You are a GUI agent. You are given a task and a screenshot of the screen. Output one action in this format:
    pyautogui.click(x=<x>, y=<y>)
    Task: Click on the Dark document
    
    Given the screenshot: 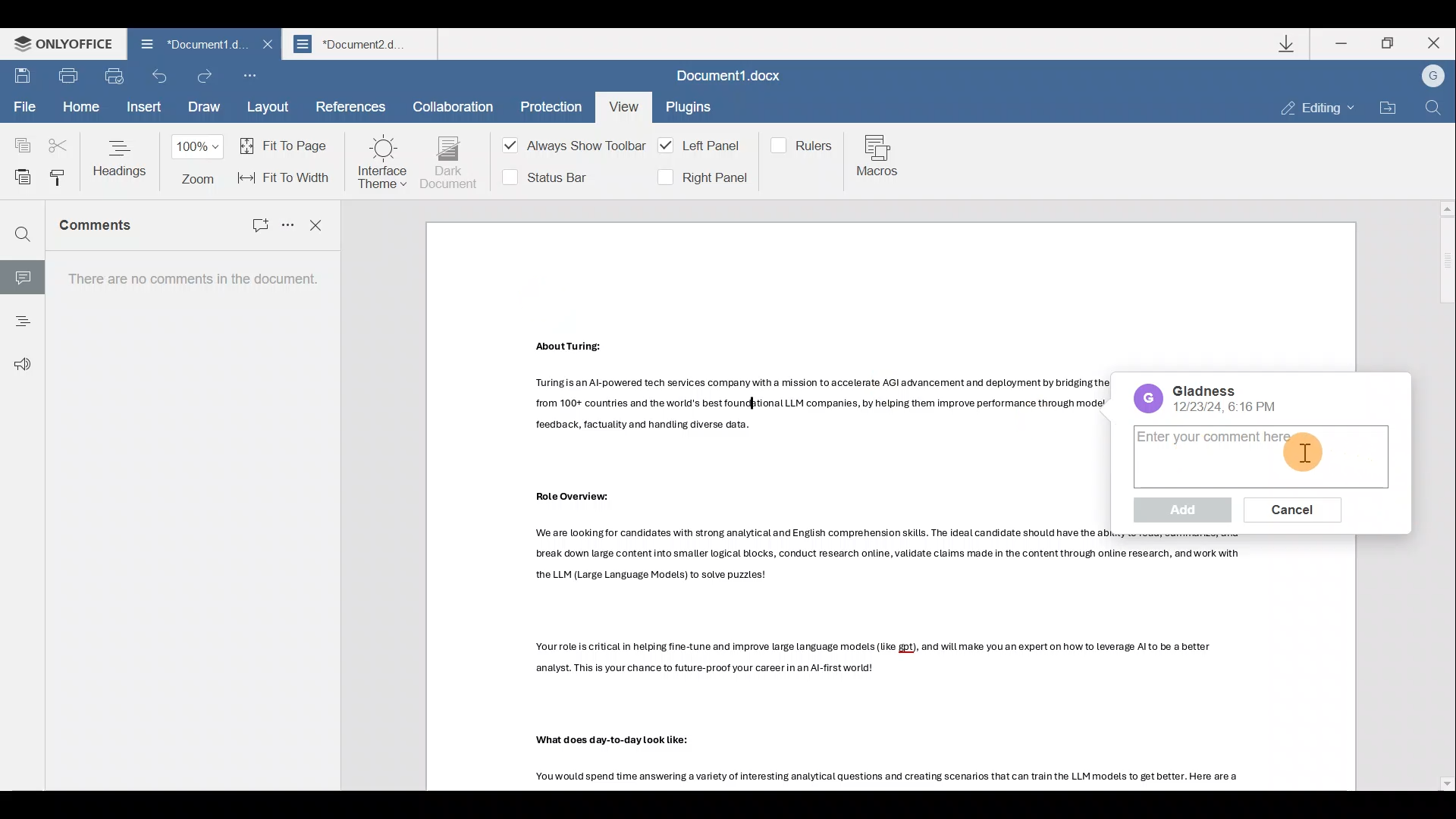 What is the action you would take?
    pyautogui.click(x=450, y=163)
    